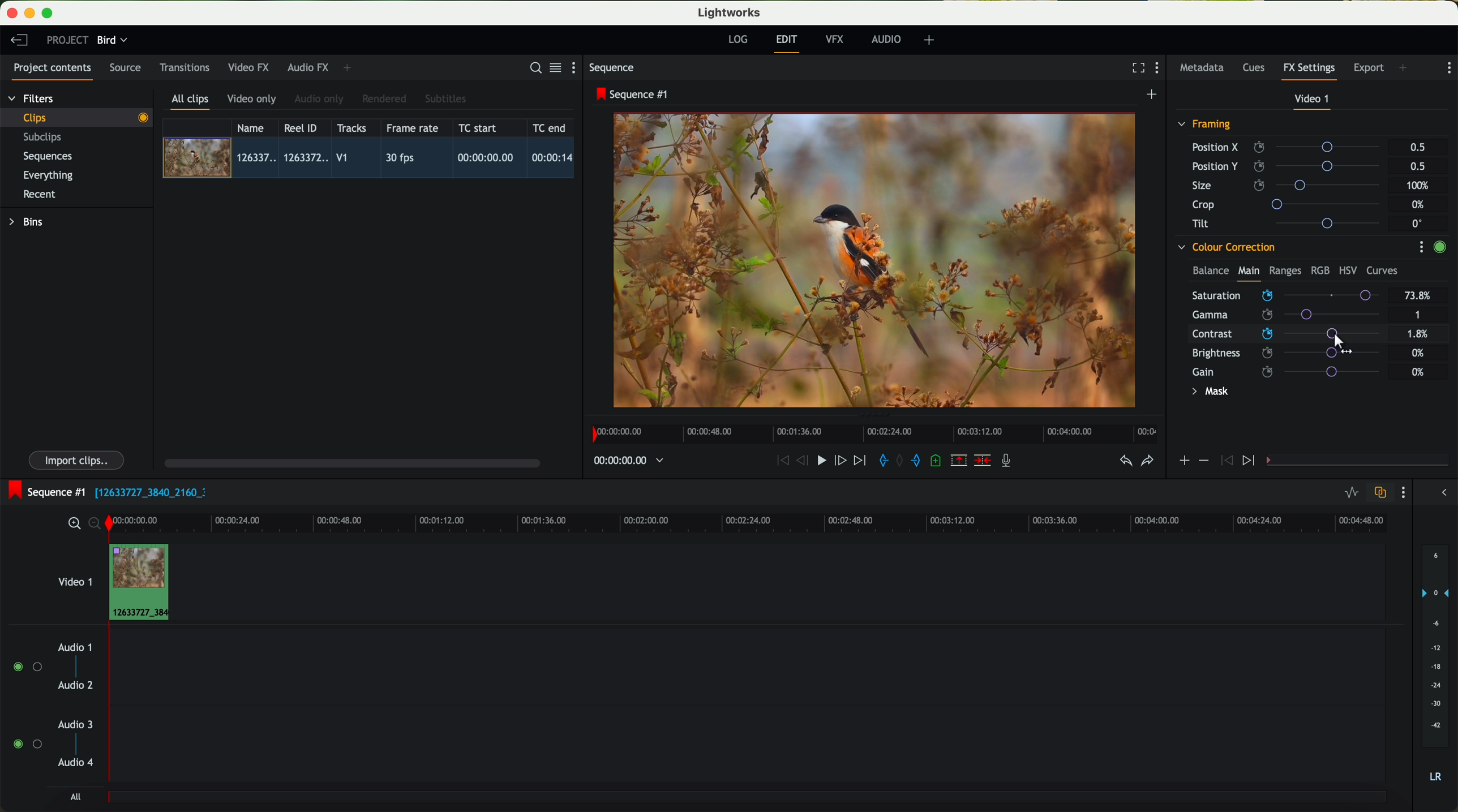 The image size is (1458, 812). I want to click on mouse up (saturation), so click(1287, 295).